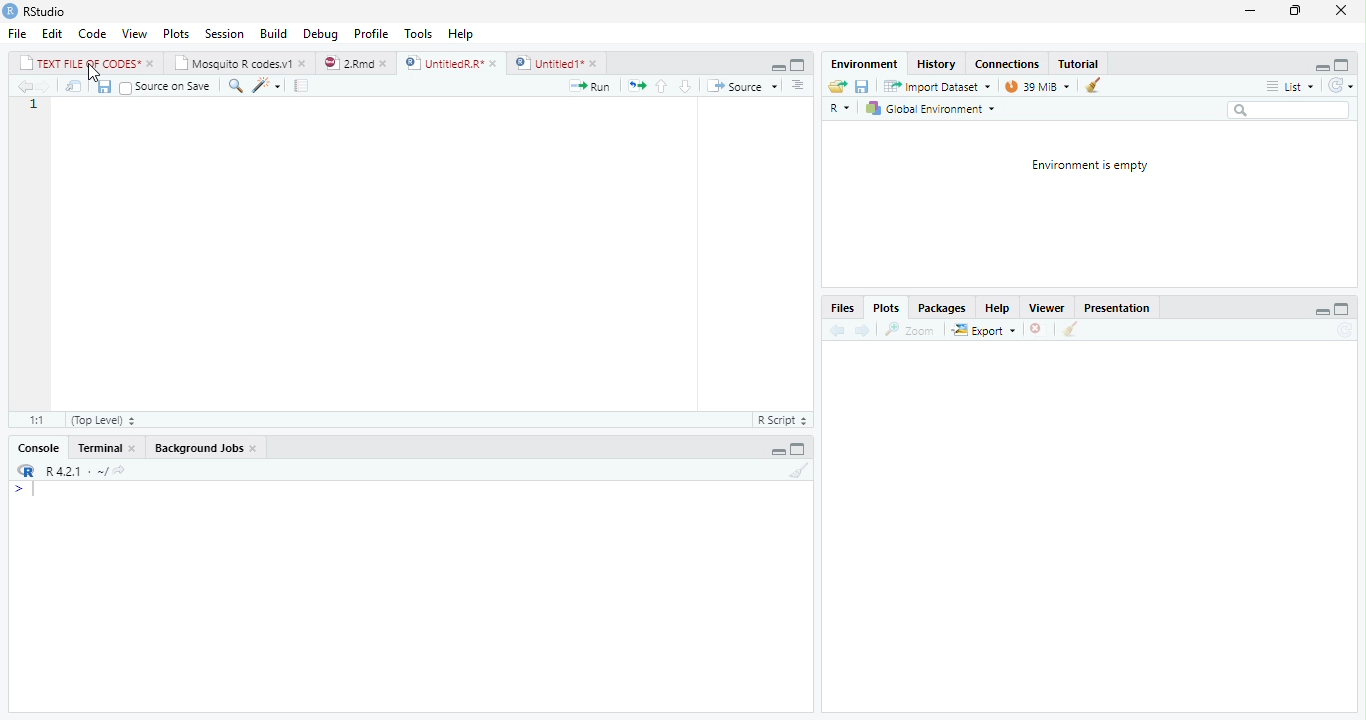 The width and height of the screenshot is (1366, 720). Describe the element at coordinates (463, 36) in the screenshot. I see `Help` at that location.